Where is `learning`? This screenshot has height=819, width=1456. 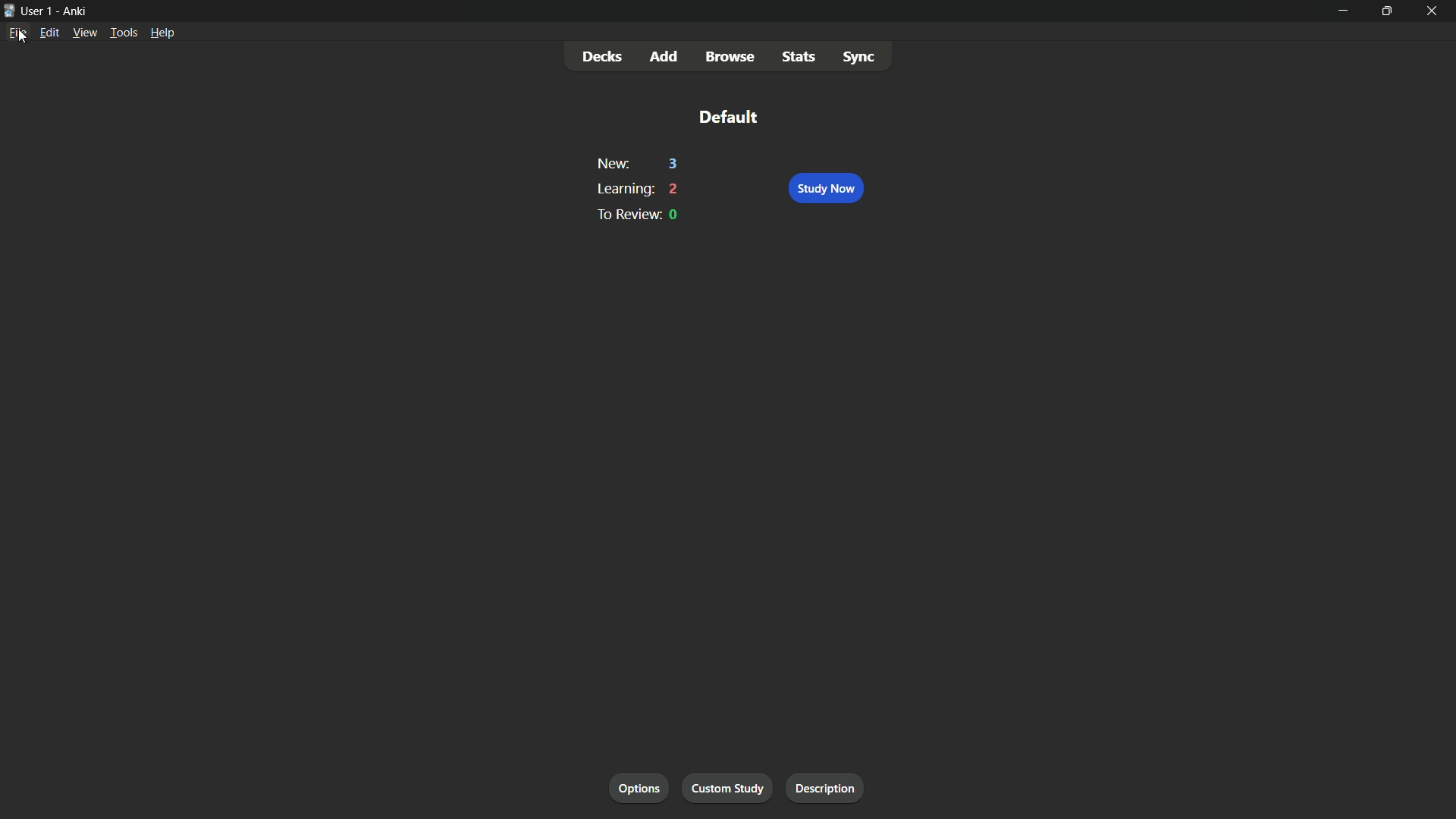
learning is located at coordinates (623, 189).